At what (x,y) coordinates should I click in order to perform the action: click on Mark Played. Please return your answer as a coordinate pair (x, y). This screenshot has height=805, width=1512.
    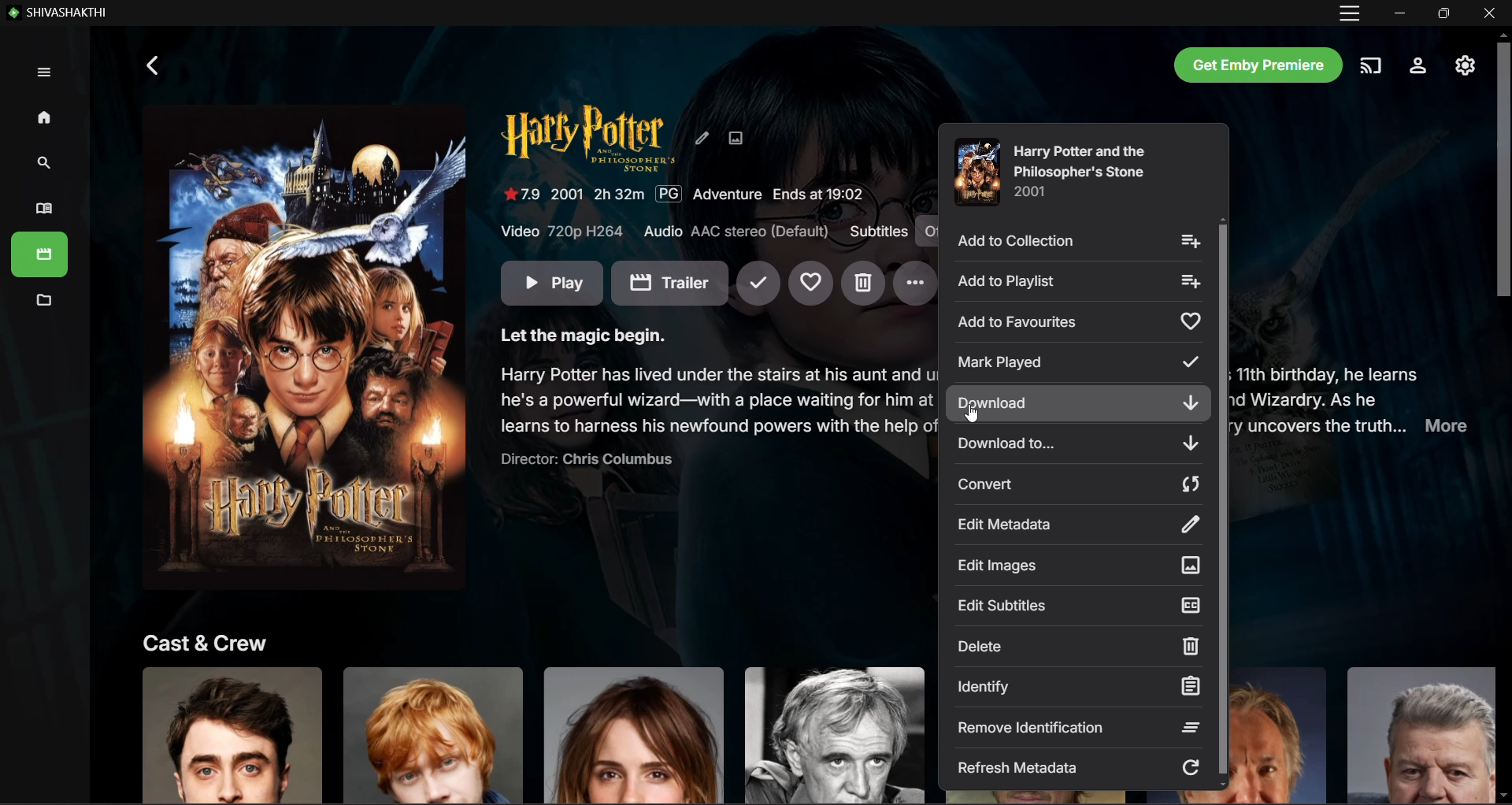
    Looking at the image, I should click on (1080, 362).